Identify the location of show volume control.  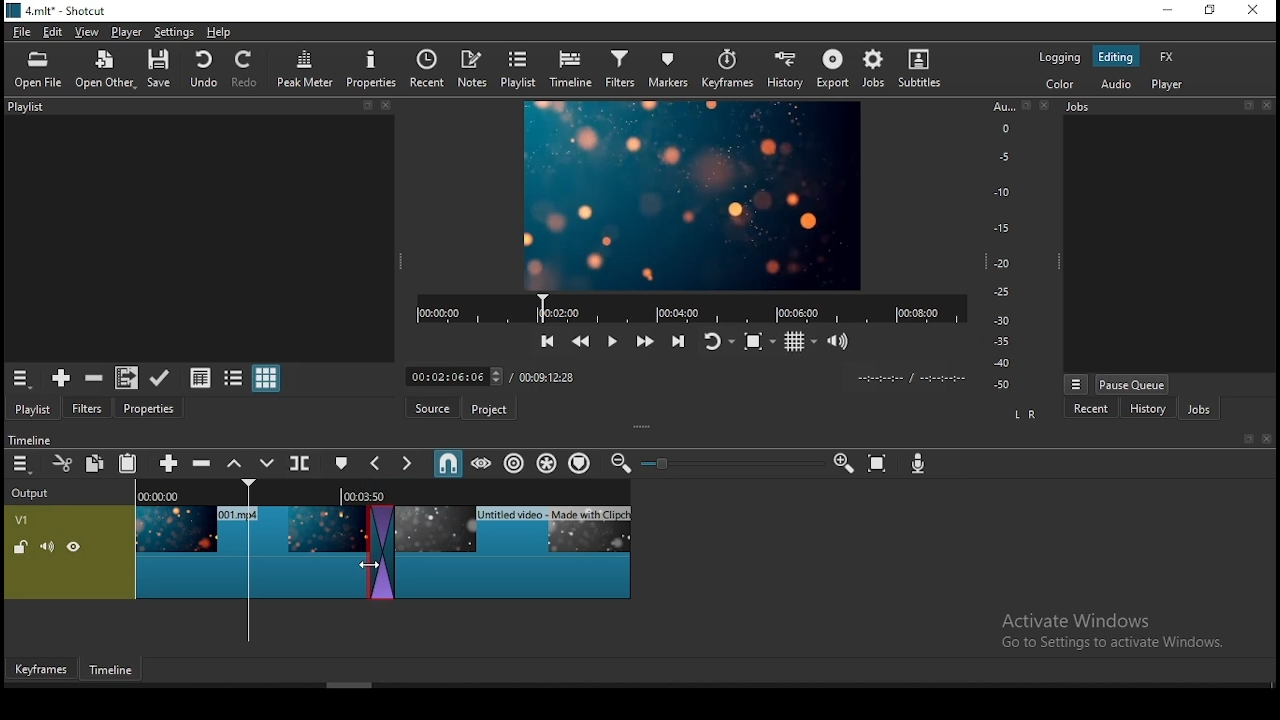
(837, 343).